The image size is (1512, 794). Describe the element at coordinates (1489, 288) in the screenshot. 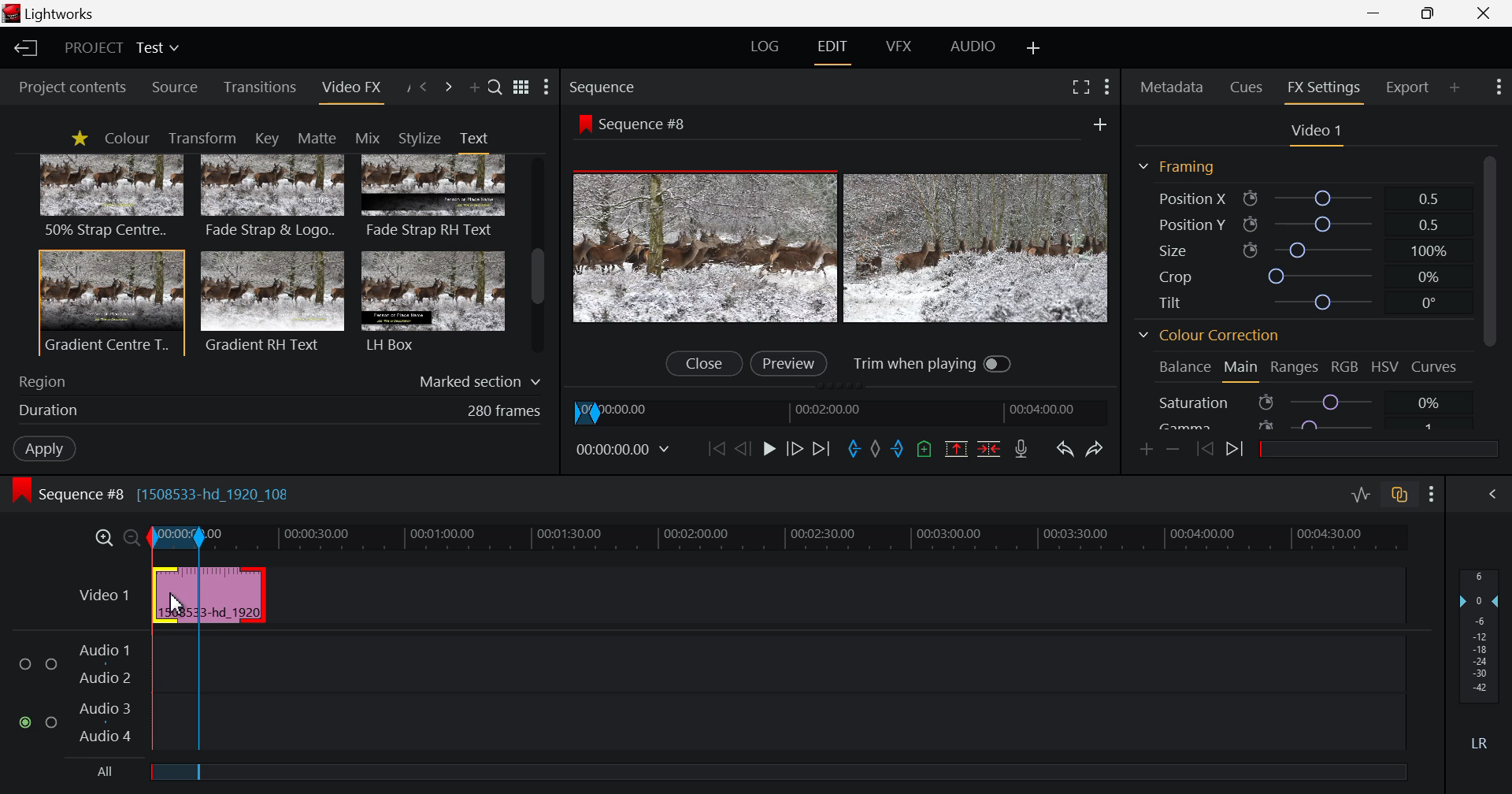

I see `Scroll Bar` at that location.